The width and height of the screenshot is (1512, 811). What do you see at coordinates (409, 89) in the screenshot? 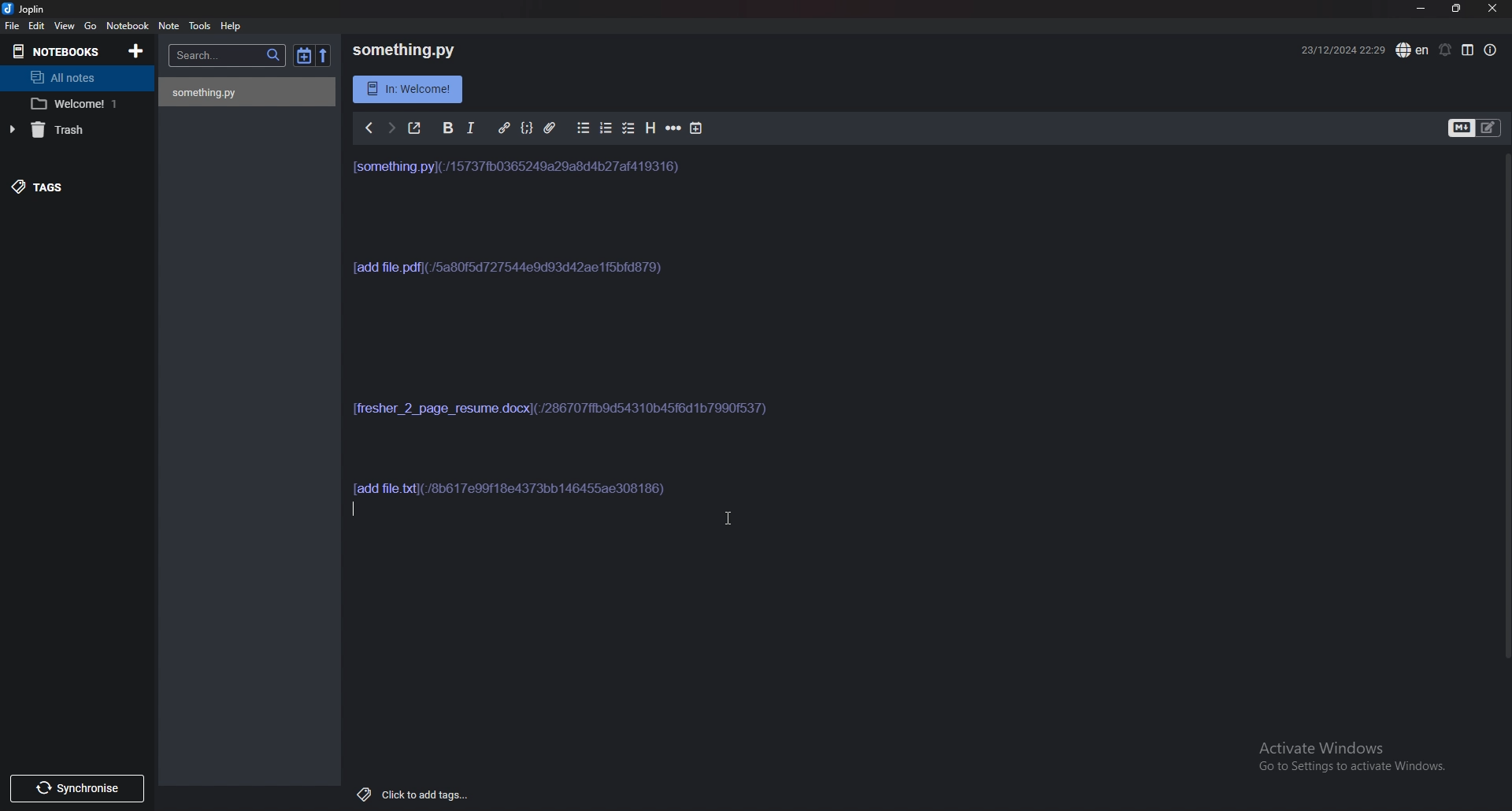
I see `` at bounding box center [409, 89].